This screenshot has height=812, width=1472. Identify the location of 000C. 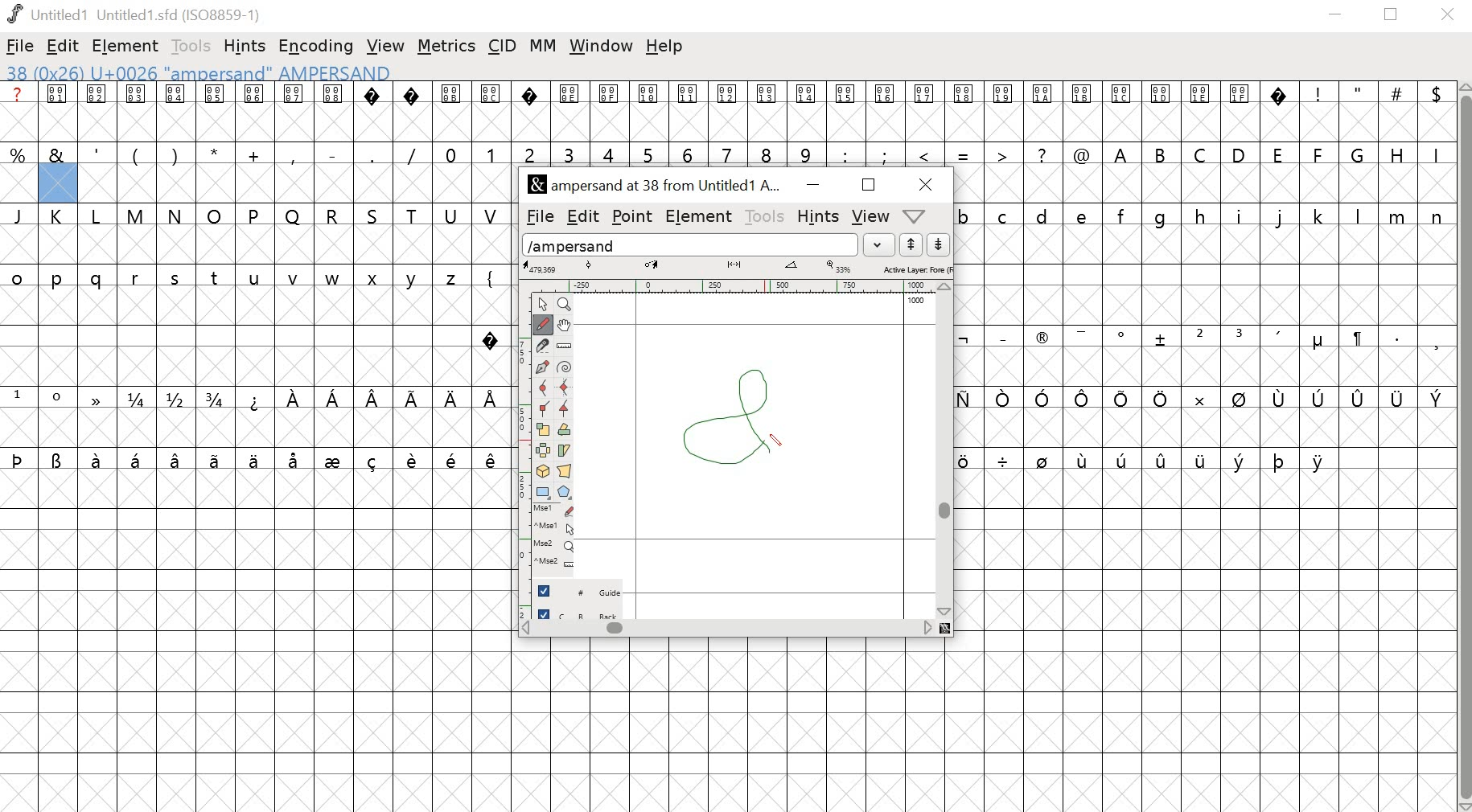
(491, 110).